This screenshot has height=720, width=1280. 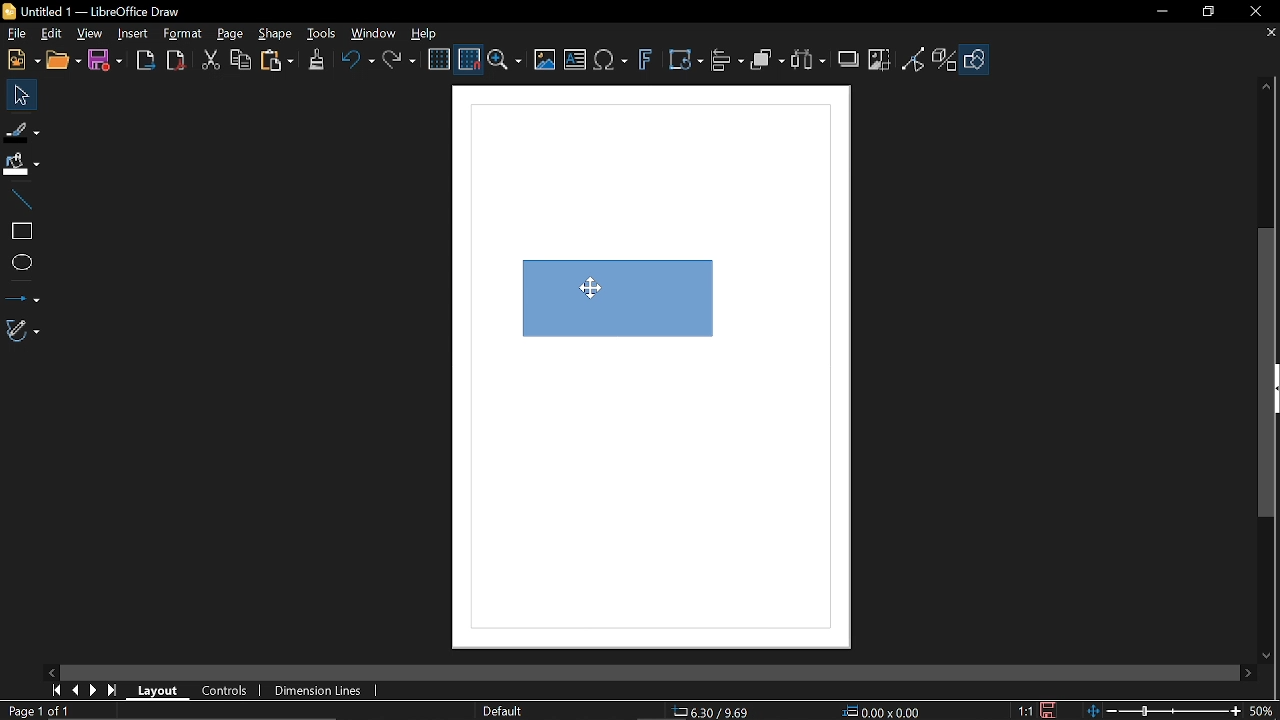 I want to click on Toggle , so click(x=914, y=61).